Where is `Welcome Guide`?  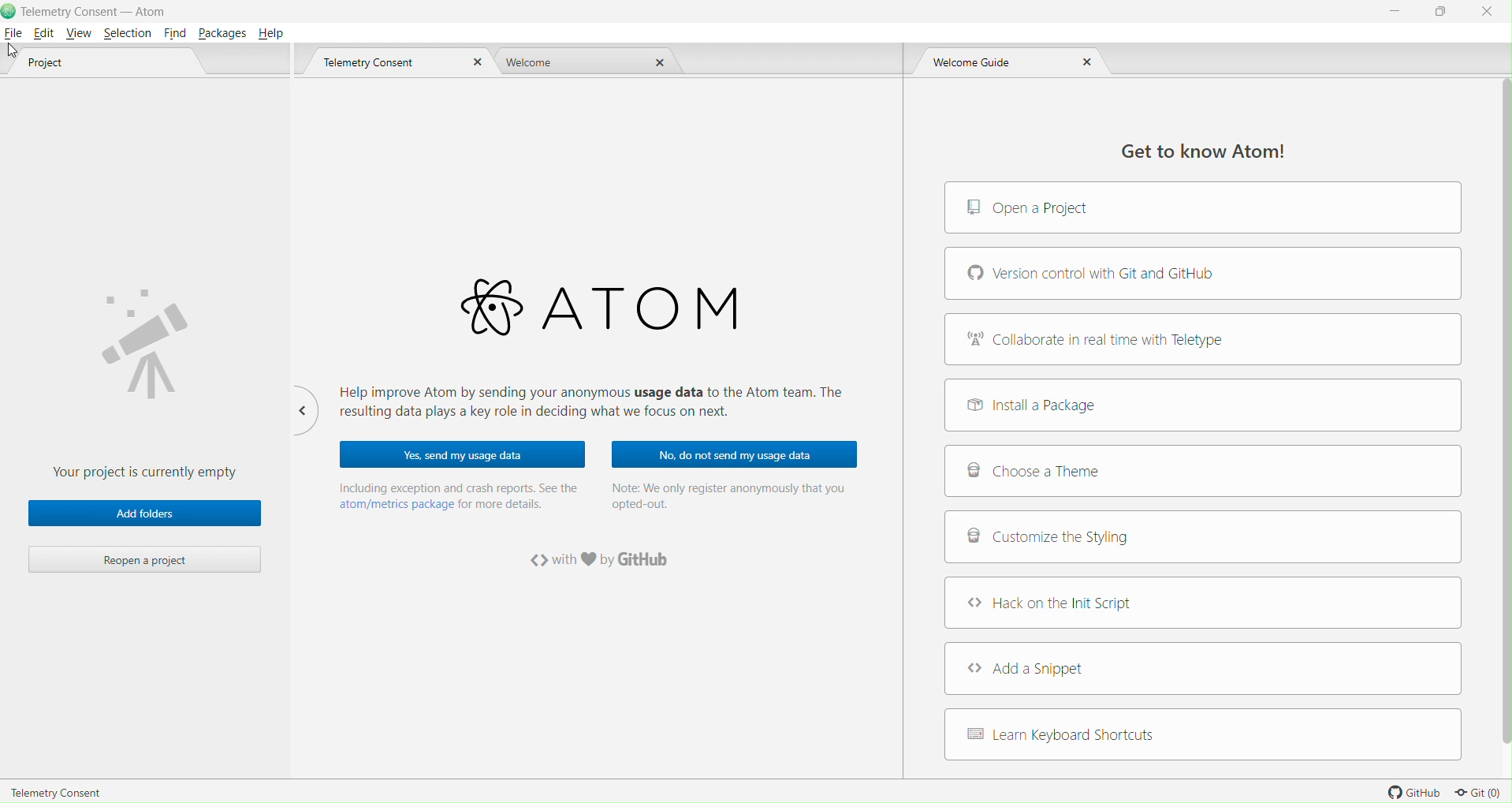
Welcome Guide is located at coordinates (981, 64).